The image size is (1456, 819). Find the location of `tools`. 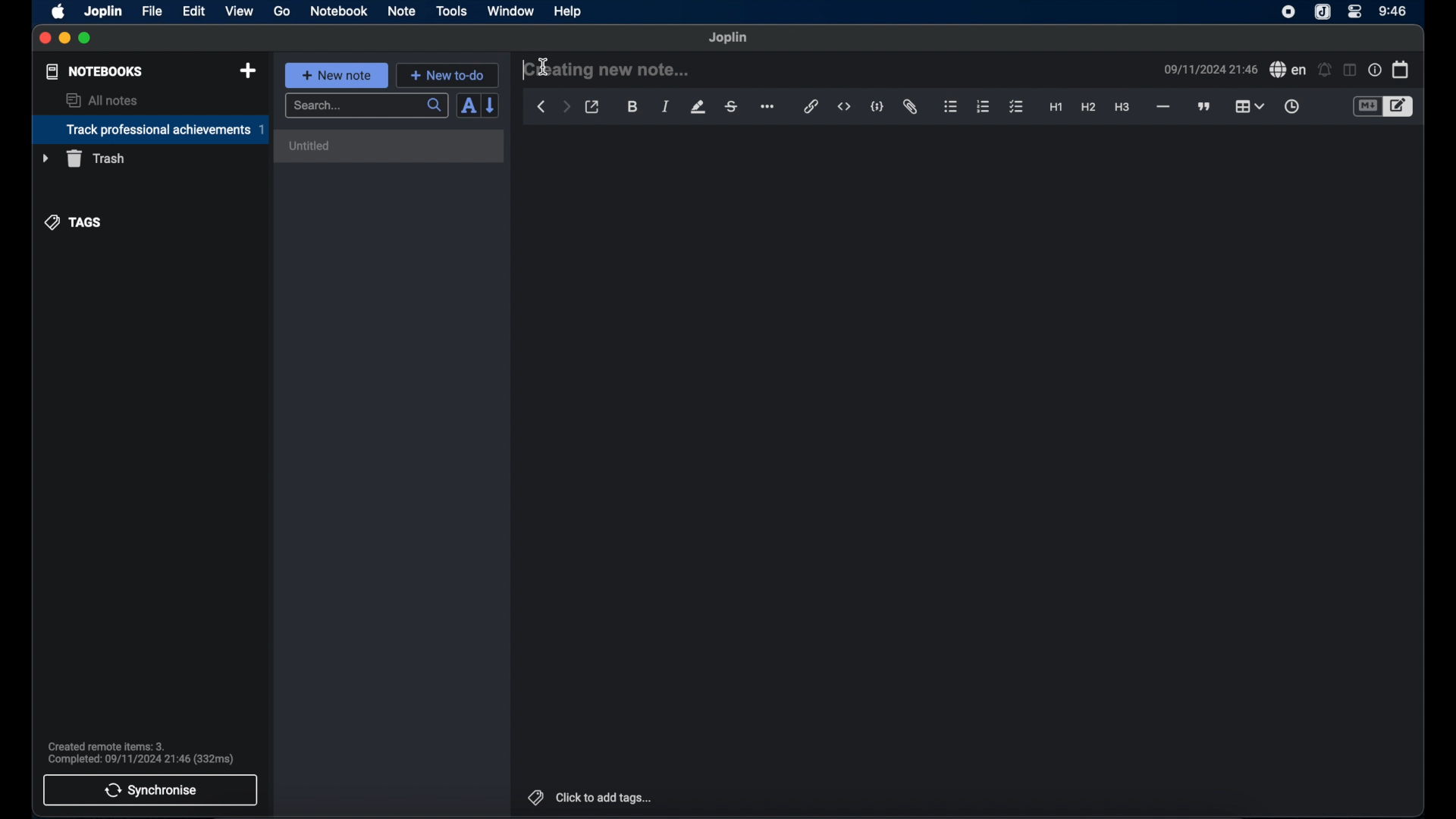

tools is located at coordinates (452, 11).